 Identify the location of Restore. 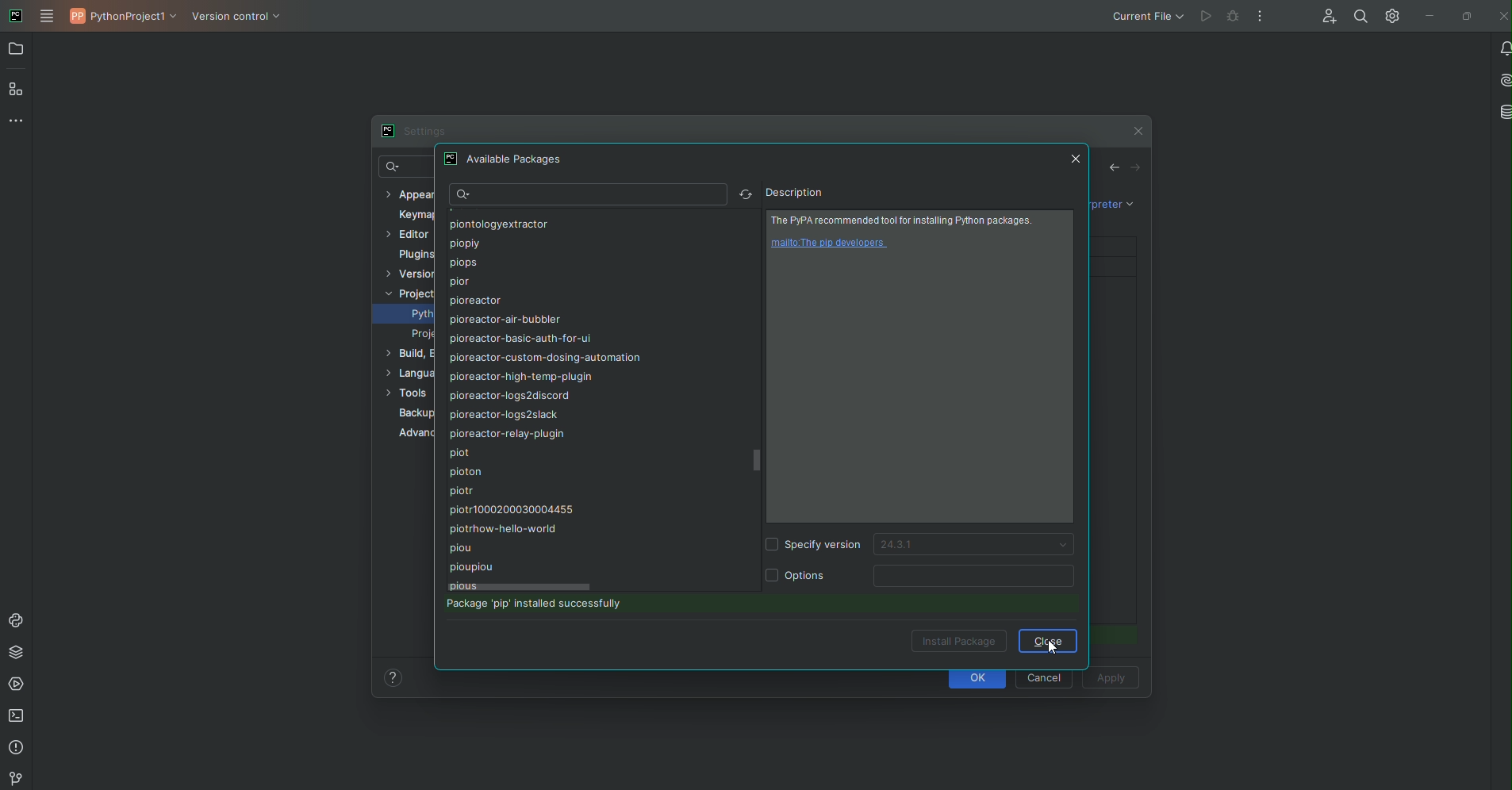
(1467, 17).